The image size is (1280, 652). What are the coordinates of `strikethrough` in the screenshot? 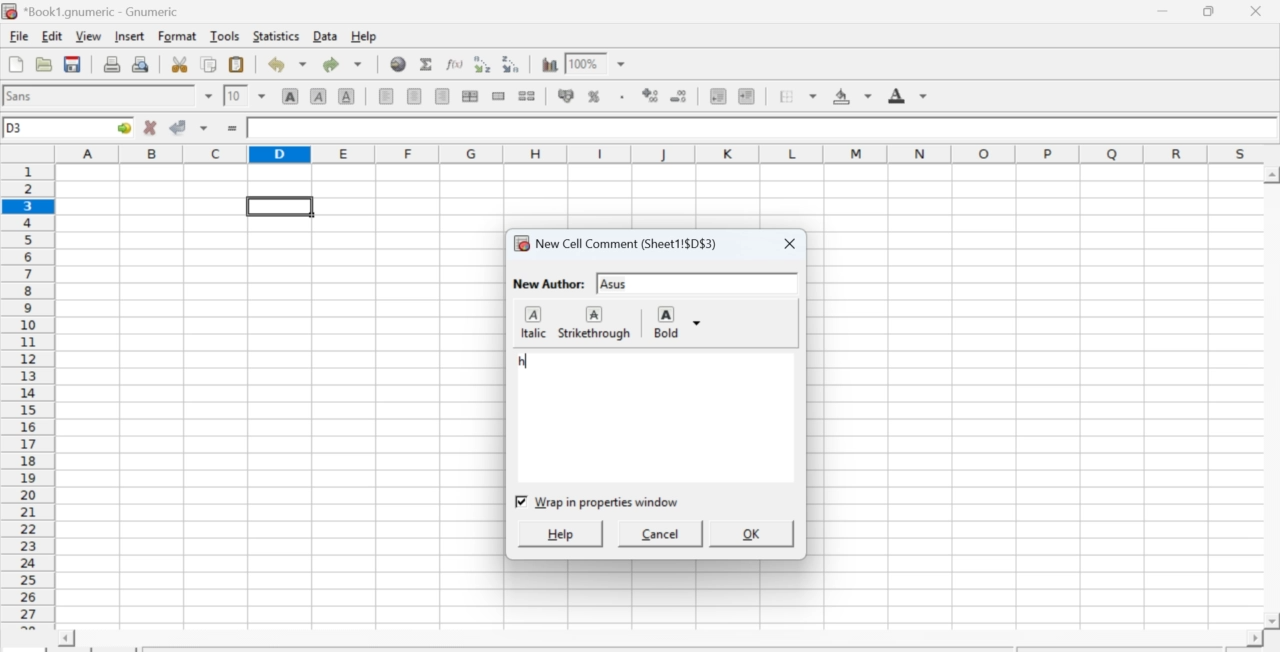 It's located at (597, 323).